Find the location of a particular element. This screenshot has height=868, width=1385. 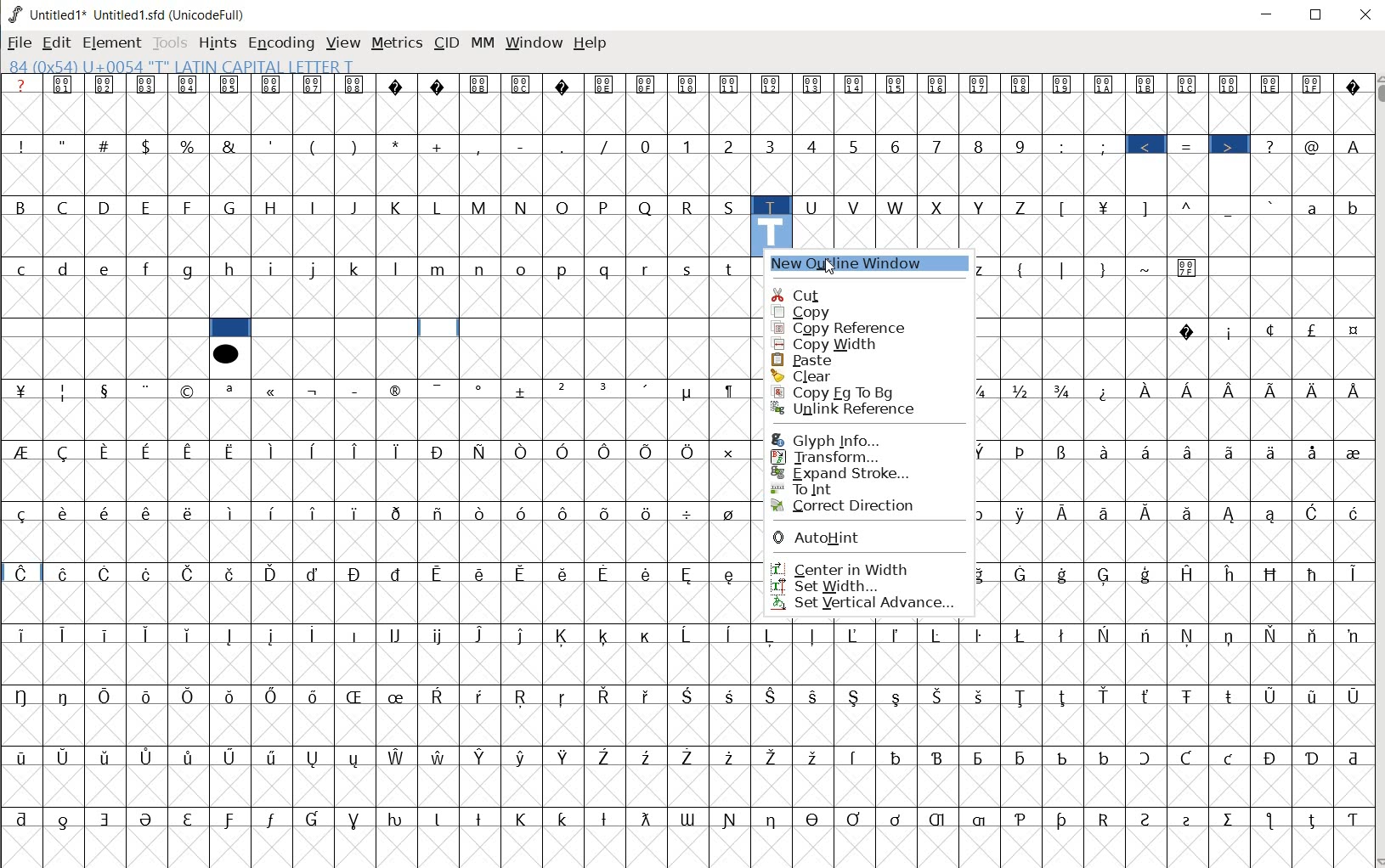

Symbol is located at coordinates (565, 696).